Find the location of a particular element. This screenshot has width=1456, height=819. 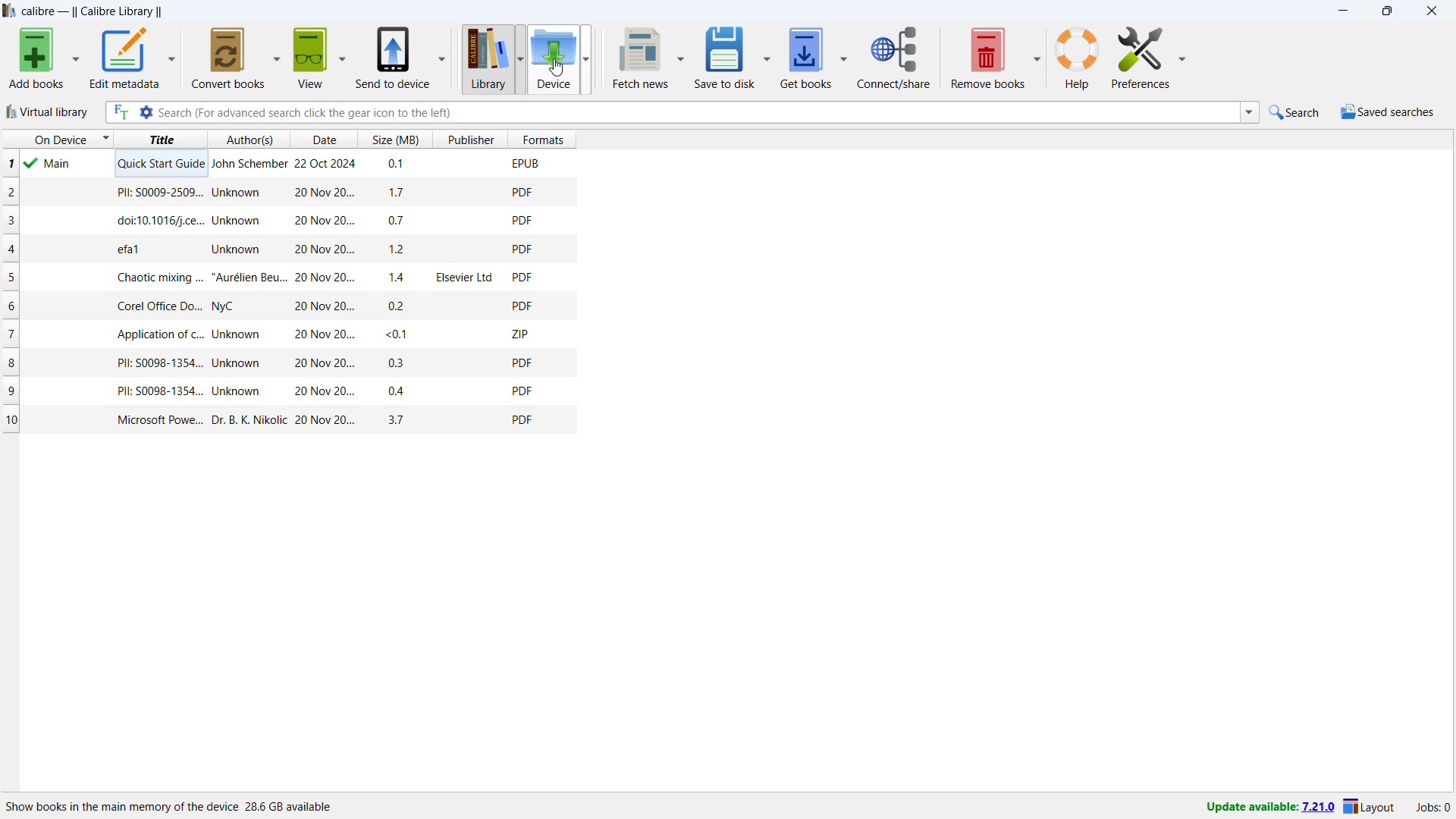

one book entry is located at coordinates (289, 392).